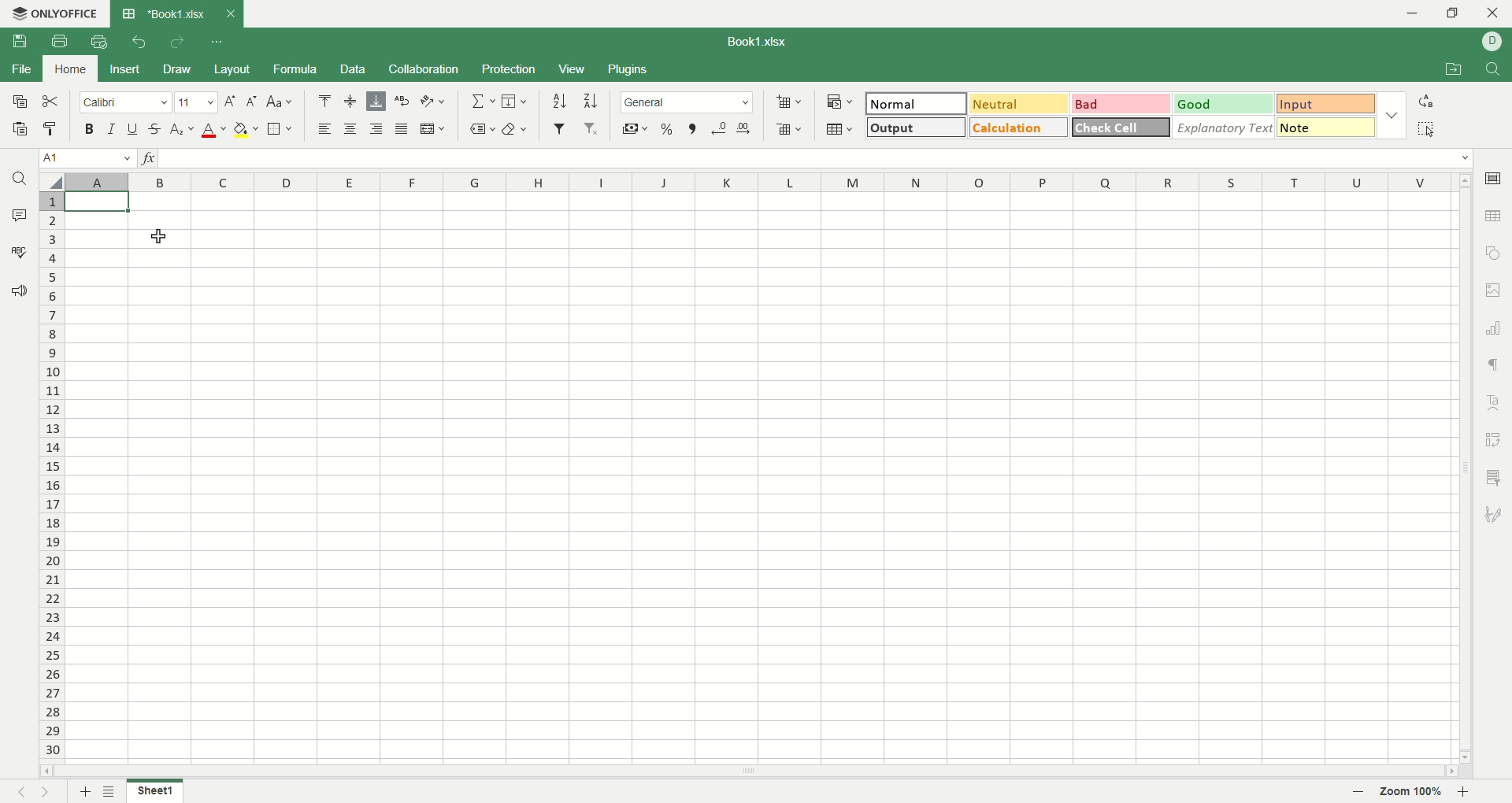  Describe the element at coordinates (1425, 102) in the screenshot. I see `replace` at that location.